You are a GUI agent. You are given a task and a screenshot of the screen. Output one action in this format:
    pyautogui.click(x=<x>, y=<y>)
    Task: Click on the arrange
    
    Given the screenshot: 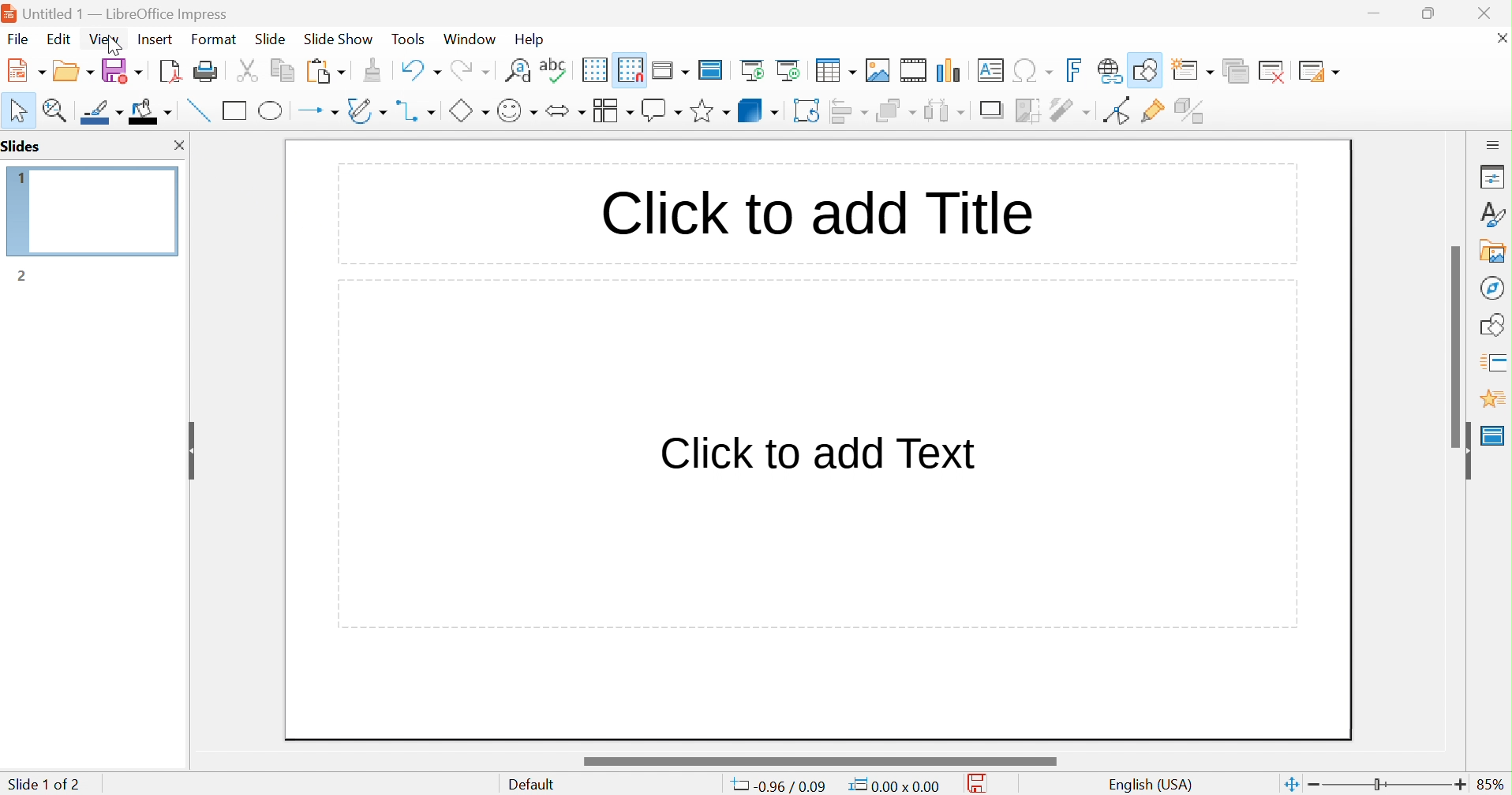 What is the action you would take?
    pyautogui.click(x=896, y=110)
    